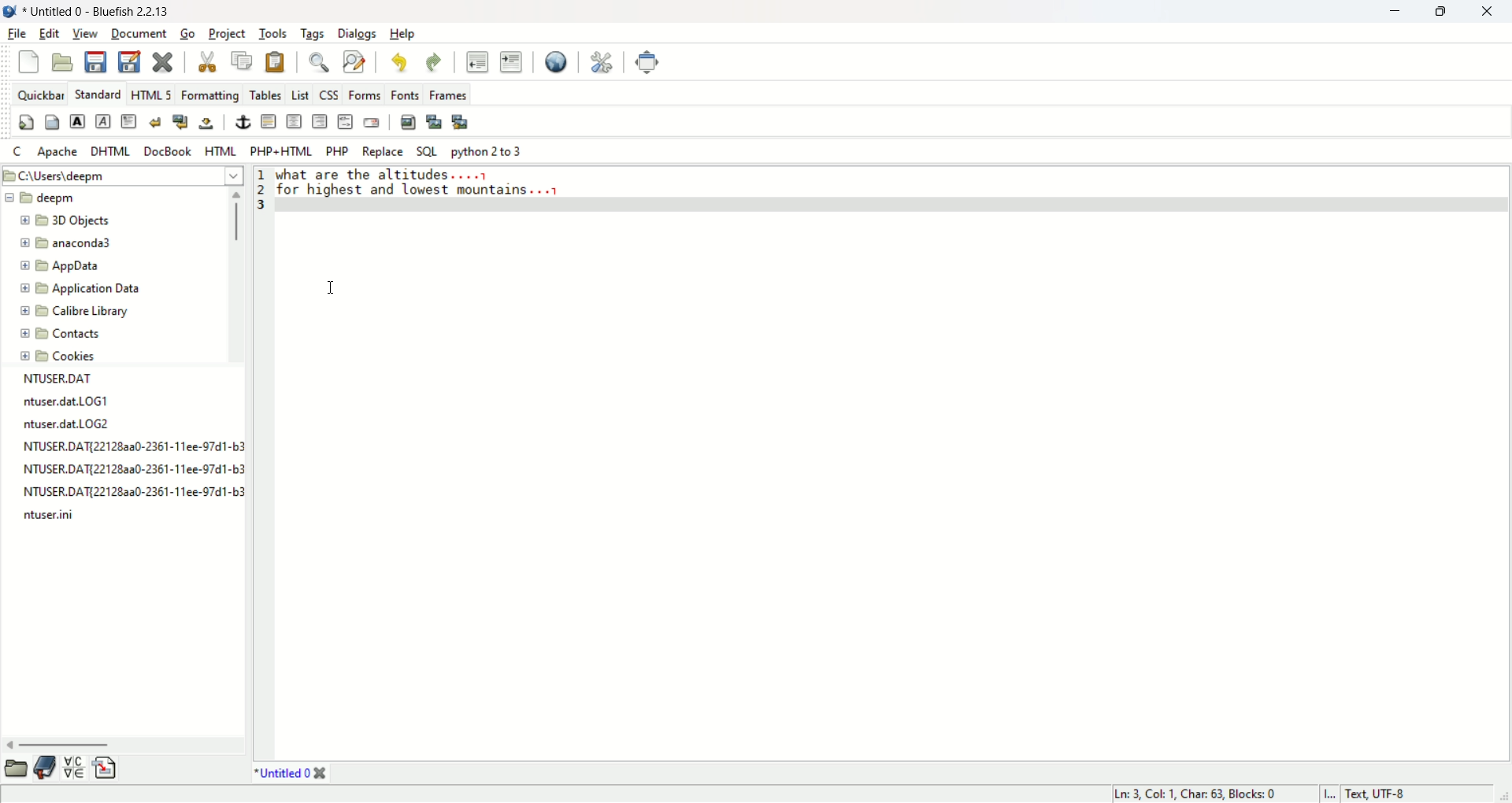 The height and width of the screenshot is (803, 1512). Describe the element at coordinates (17, 766) in the screenshot. I see `open` at that location.